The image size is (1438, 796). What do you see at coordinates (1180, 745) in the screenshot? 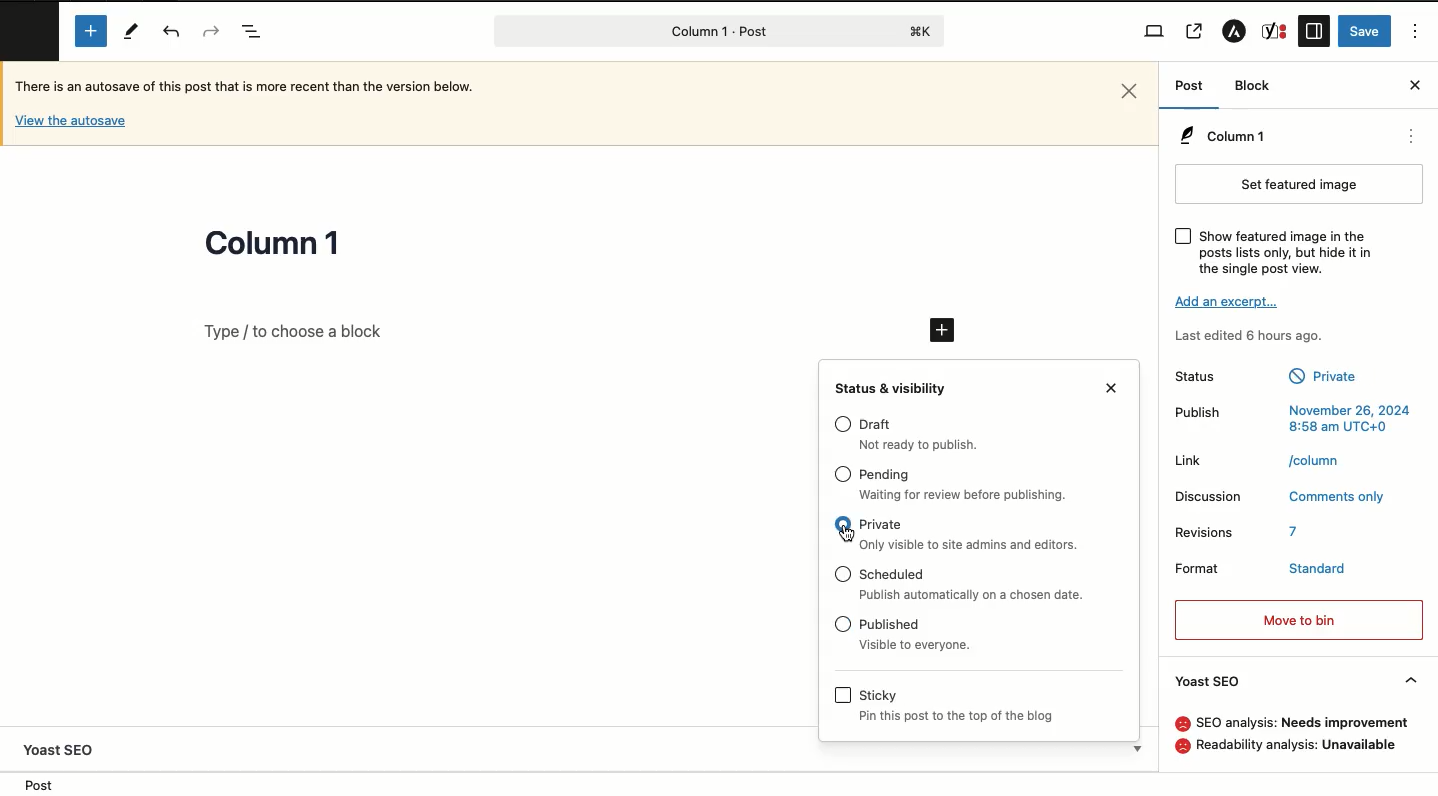
I see `emoji` at bounding box center [1180, 745].